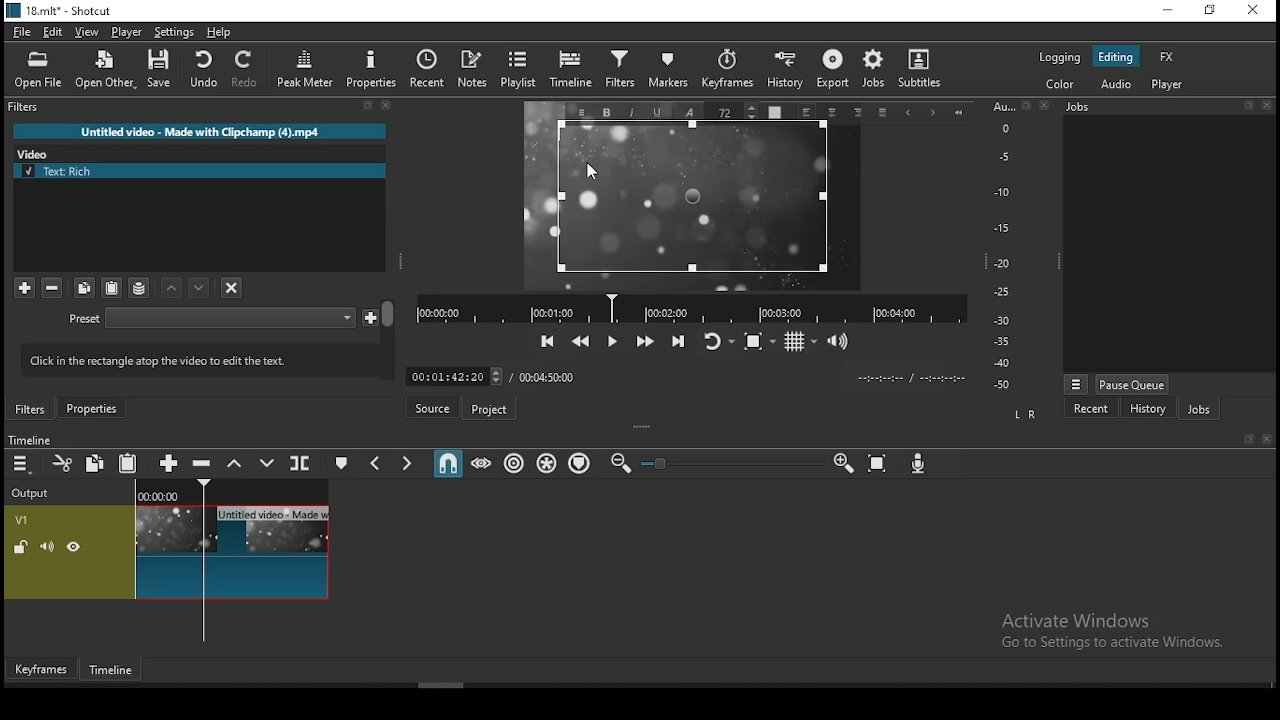 The width and height of the screenshot is (1280, 720). What do you see at coordinates (1076, 384) in the screenshot?
I see `Menu` at bounding box center [1076, 384].